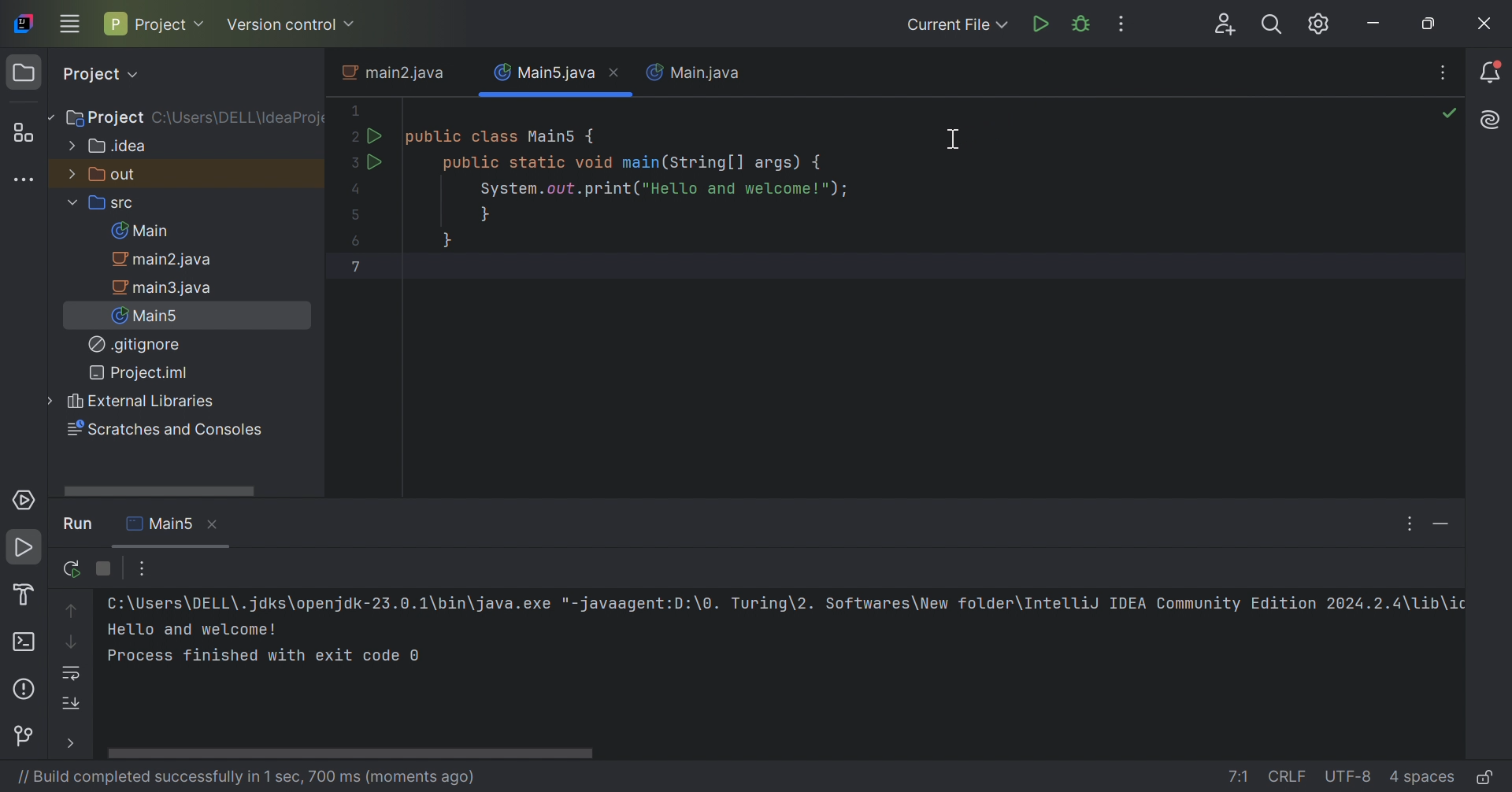  I want to click on Close, so click(213, 525).